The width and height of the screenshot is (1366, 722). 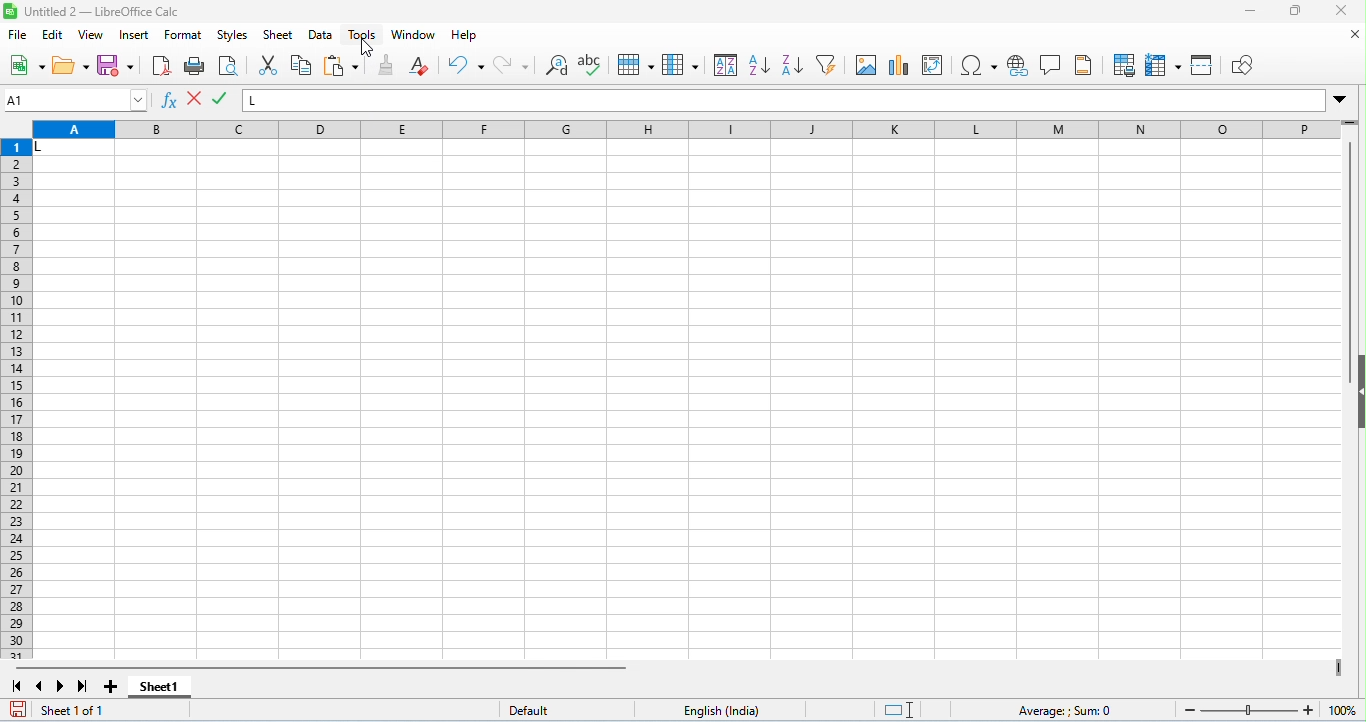 I want to click on sheet 1 of 1, so click(x=78, y=711).